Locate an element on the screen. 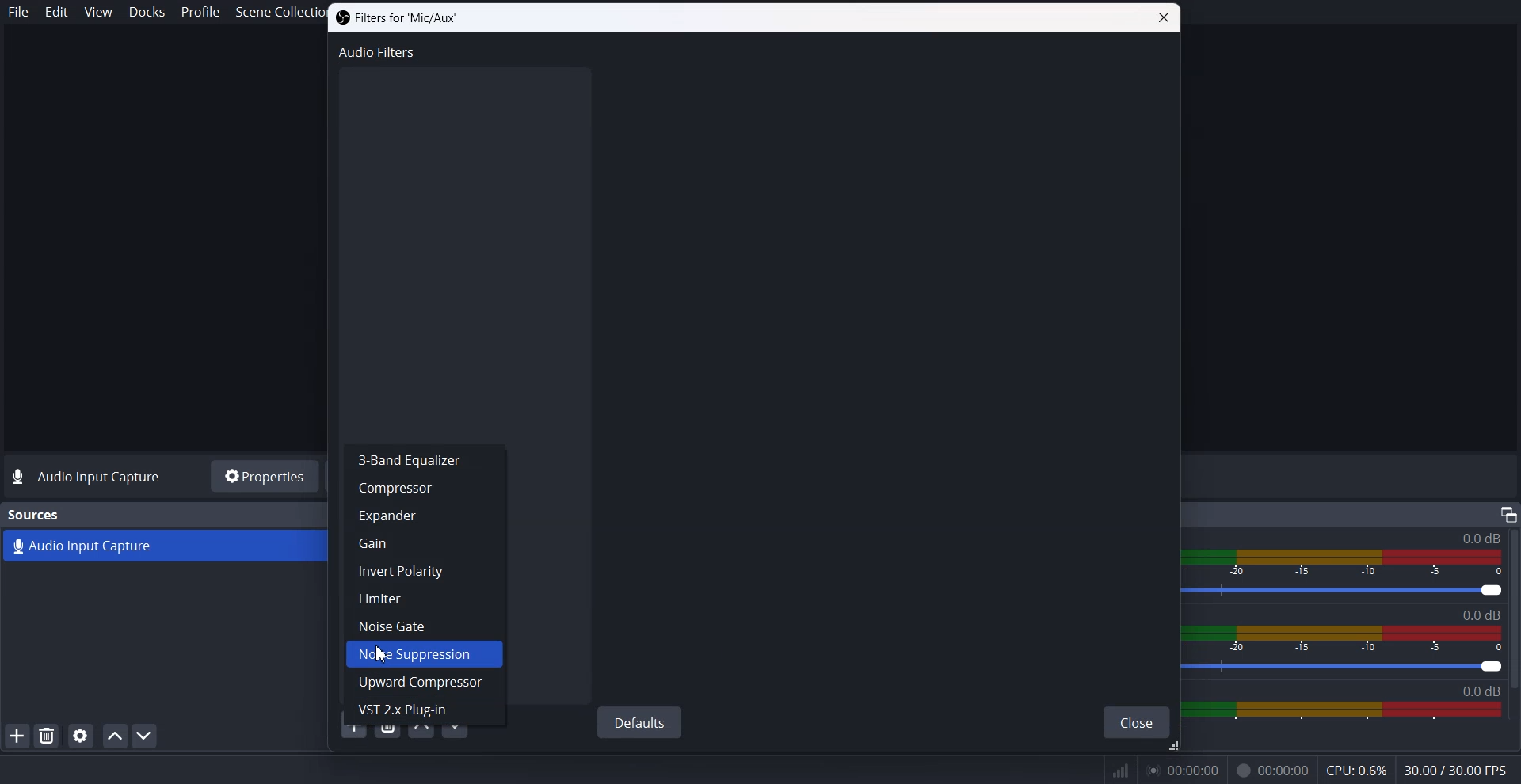  Move source up is located at coordinates (115, 736).